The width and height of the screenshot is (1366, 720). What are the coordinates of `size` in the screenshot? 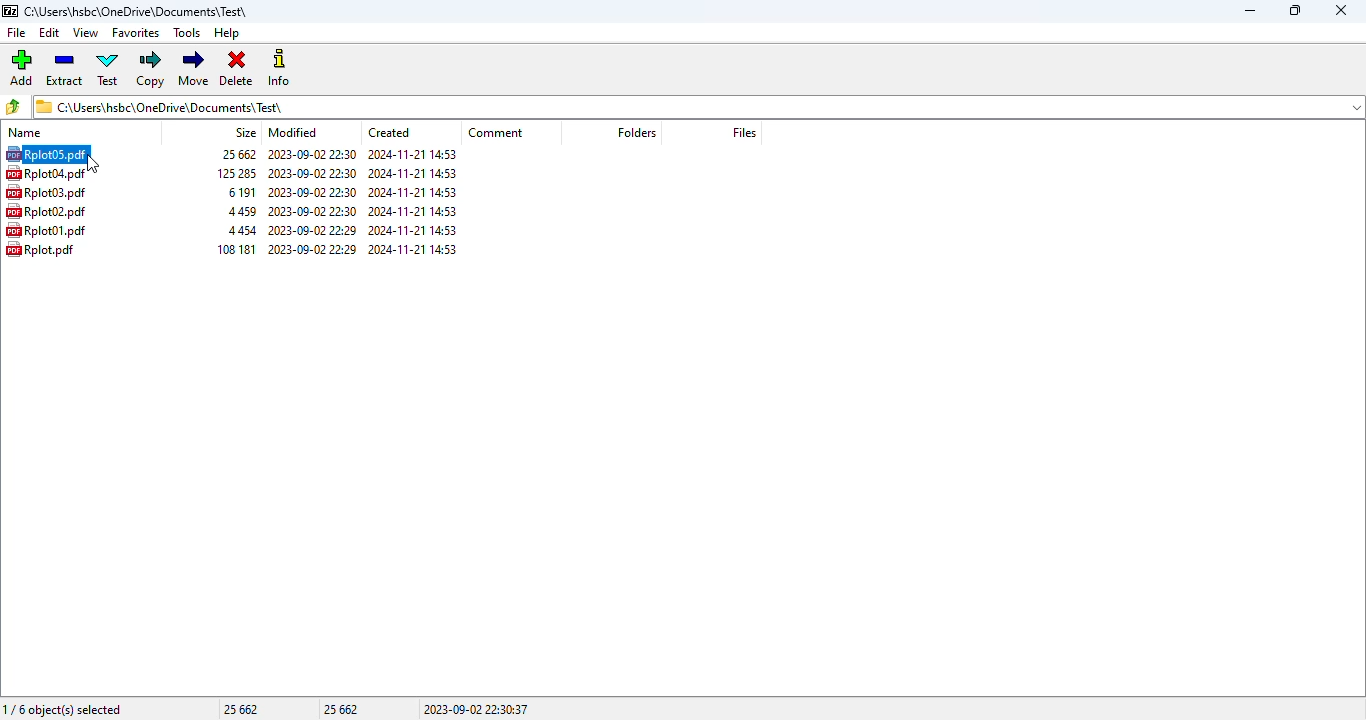 It's located at (238, 173).